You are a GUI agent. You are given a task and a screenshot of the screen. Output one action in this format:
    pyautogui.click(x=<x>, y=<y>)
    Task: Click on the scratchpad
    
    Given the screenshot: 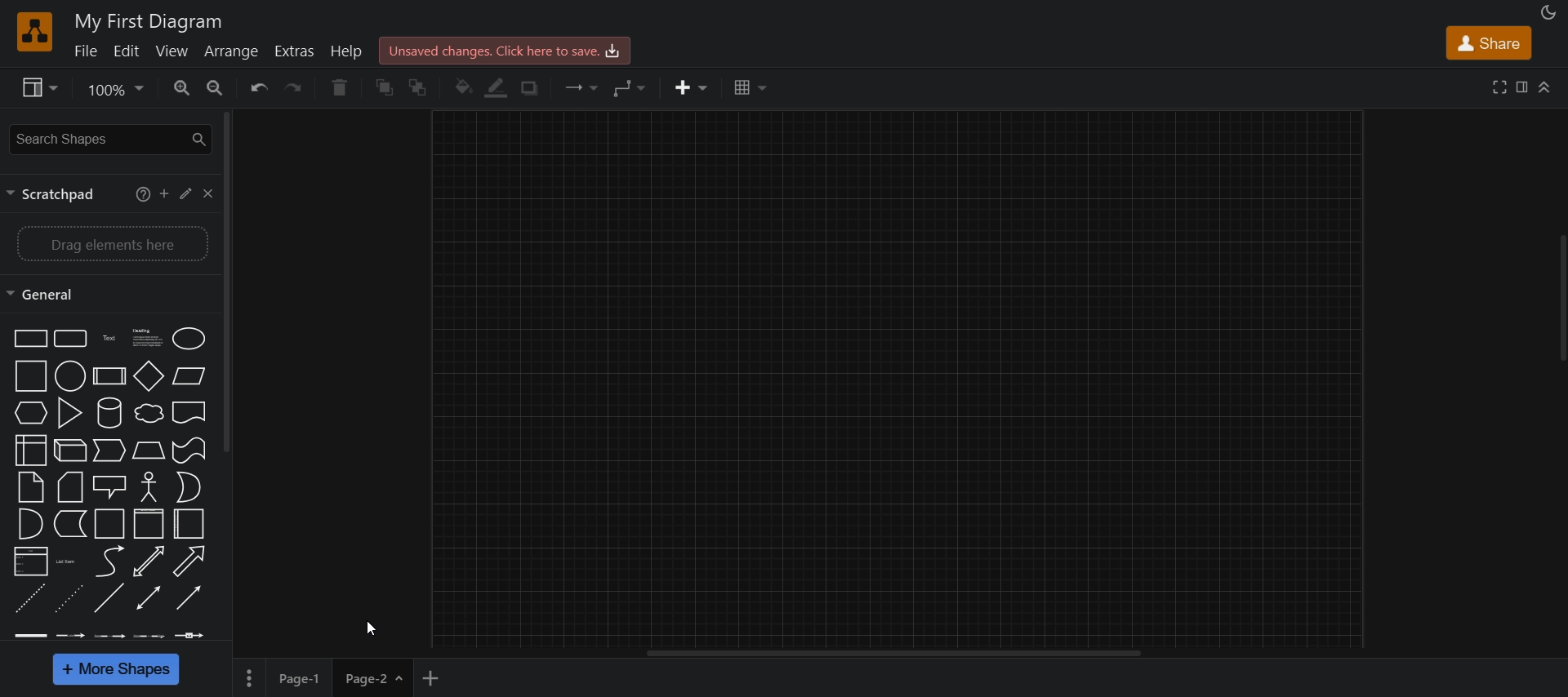 What is the action you would take?
    pyautogui.click(x=57, y=193)
    